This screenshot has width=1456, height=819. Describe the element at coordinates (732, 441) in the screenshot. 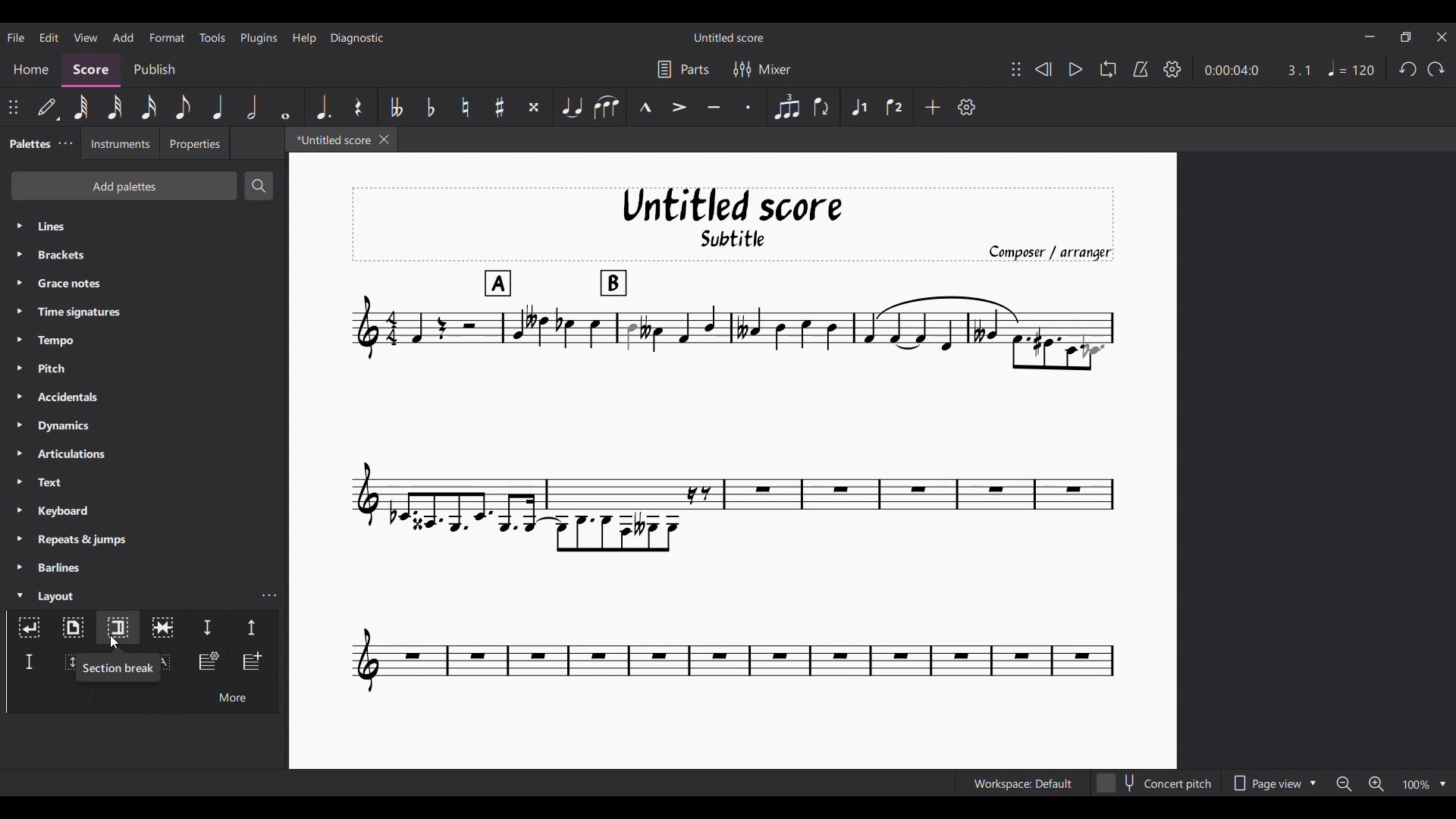

I see `Current score` at that location.